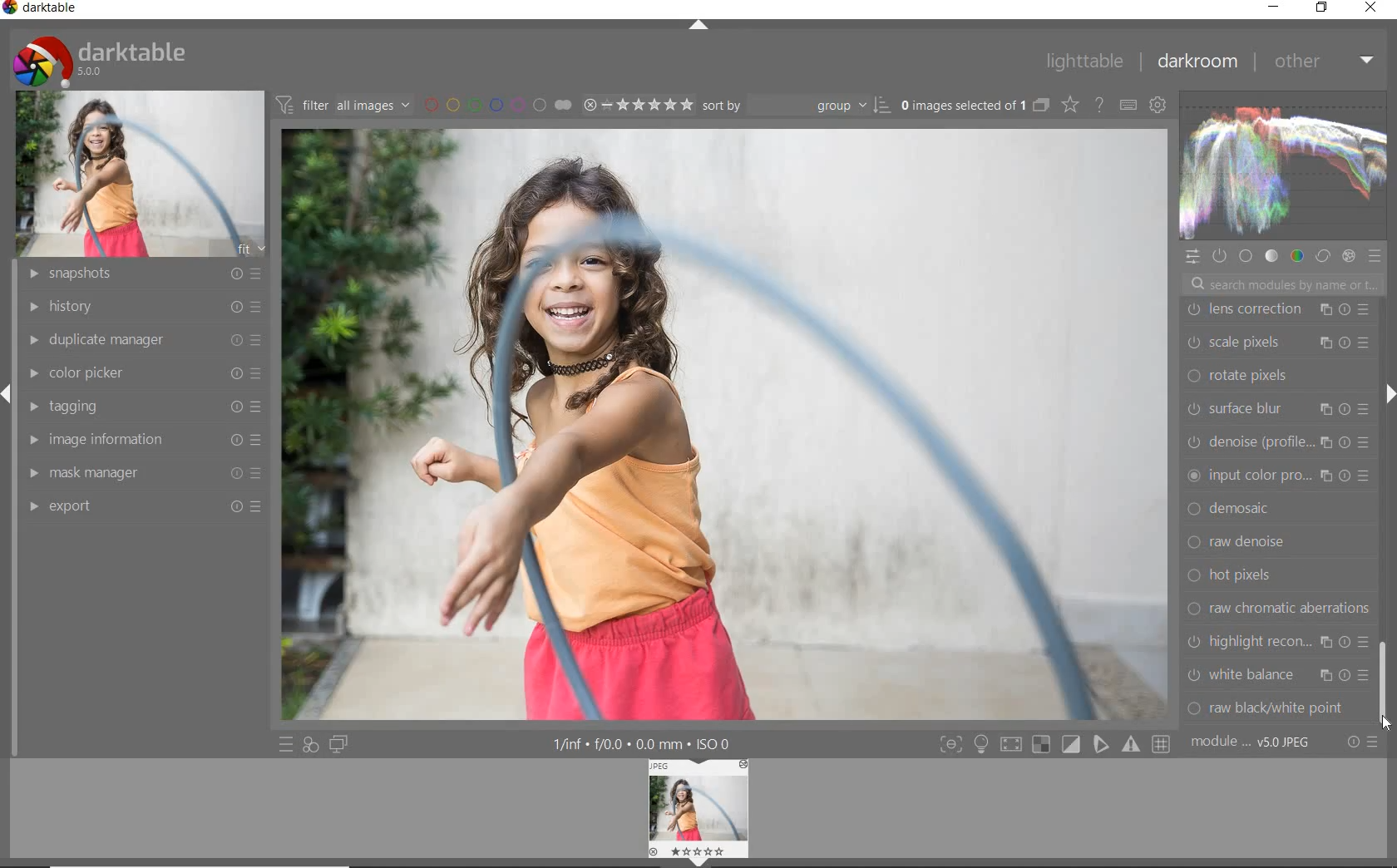 This screenshot has height=868, width=1397. Describe the element at coordinates (1321, 7) in the screenshot. I see `restore` at that location.